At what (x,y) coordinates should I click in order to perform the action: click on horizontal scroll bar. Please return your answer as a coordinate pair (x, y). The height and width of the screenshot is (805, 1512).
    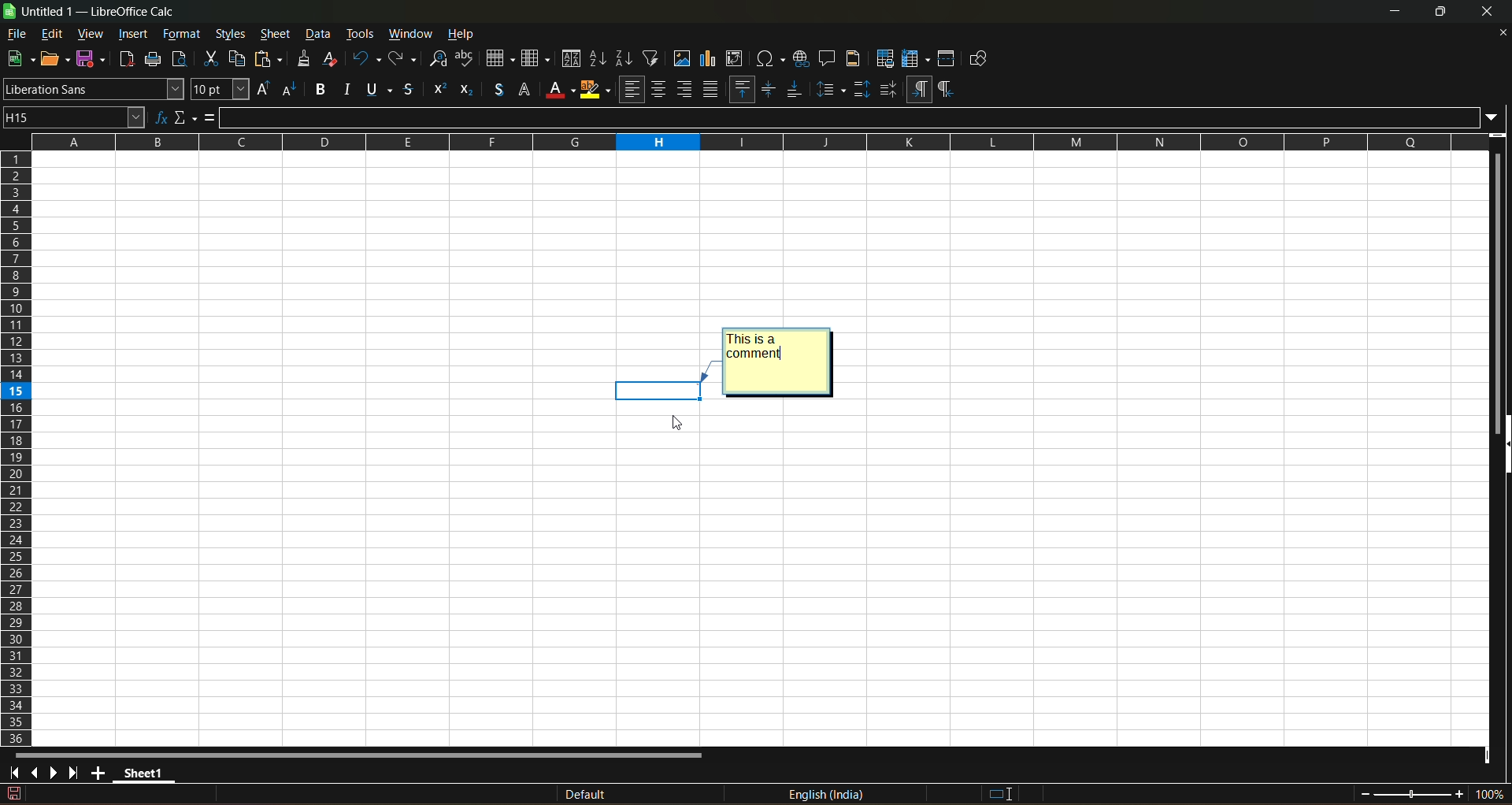
    Looking at the image, I should click on (361, 754).